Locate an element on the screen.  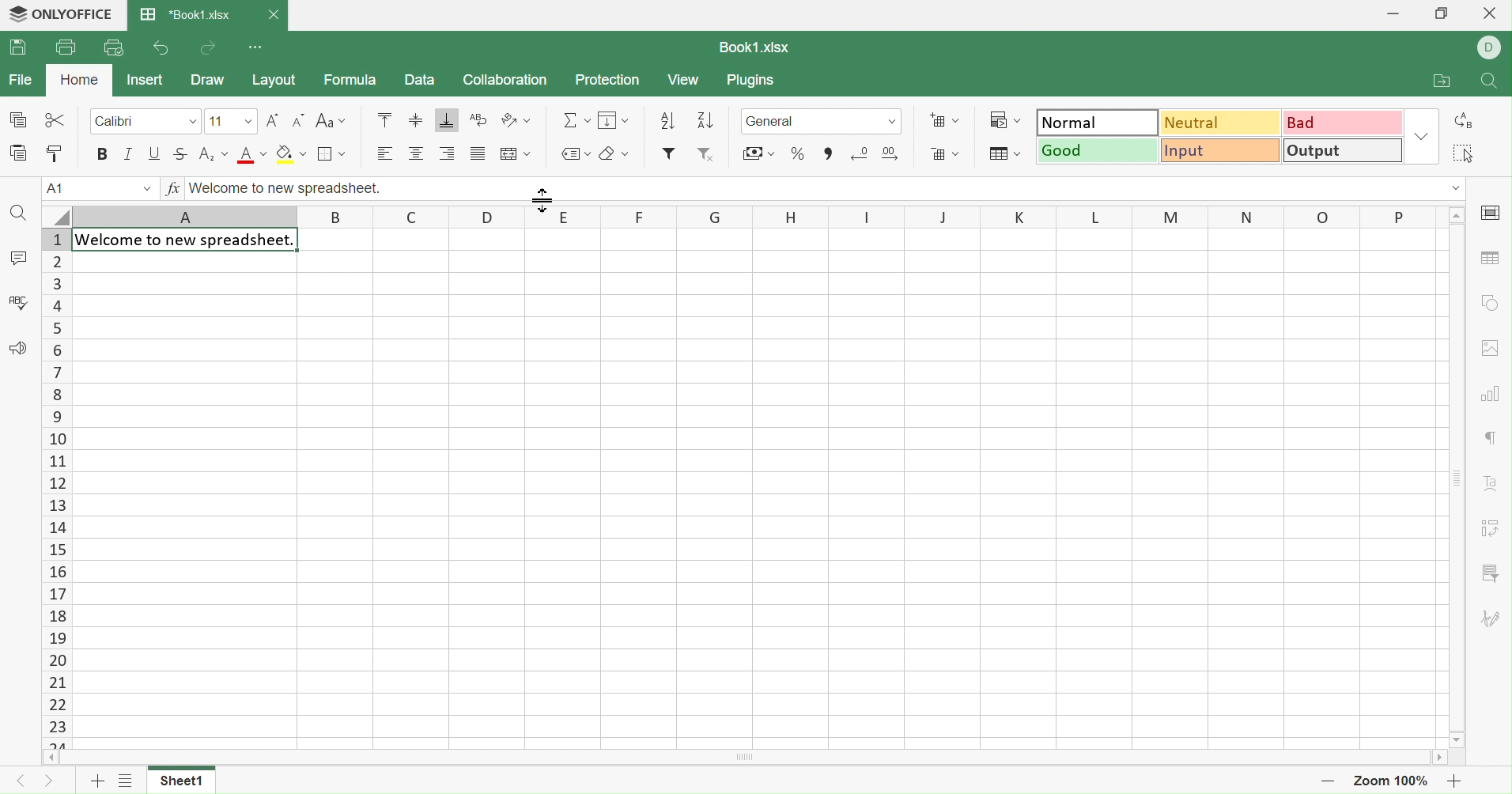
Plugins is located at coordinates (754, 81).